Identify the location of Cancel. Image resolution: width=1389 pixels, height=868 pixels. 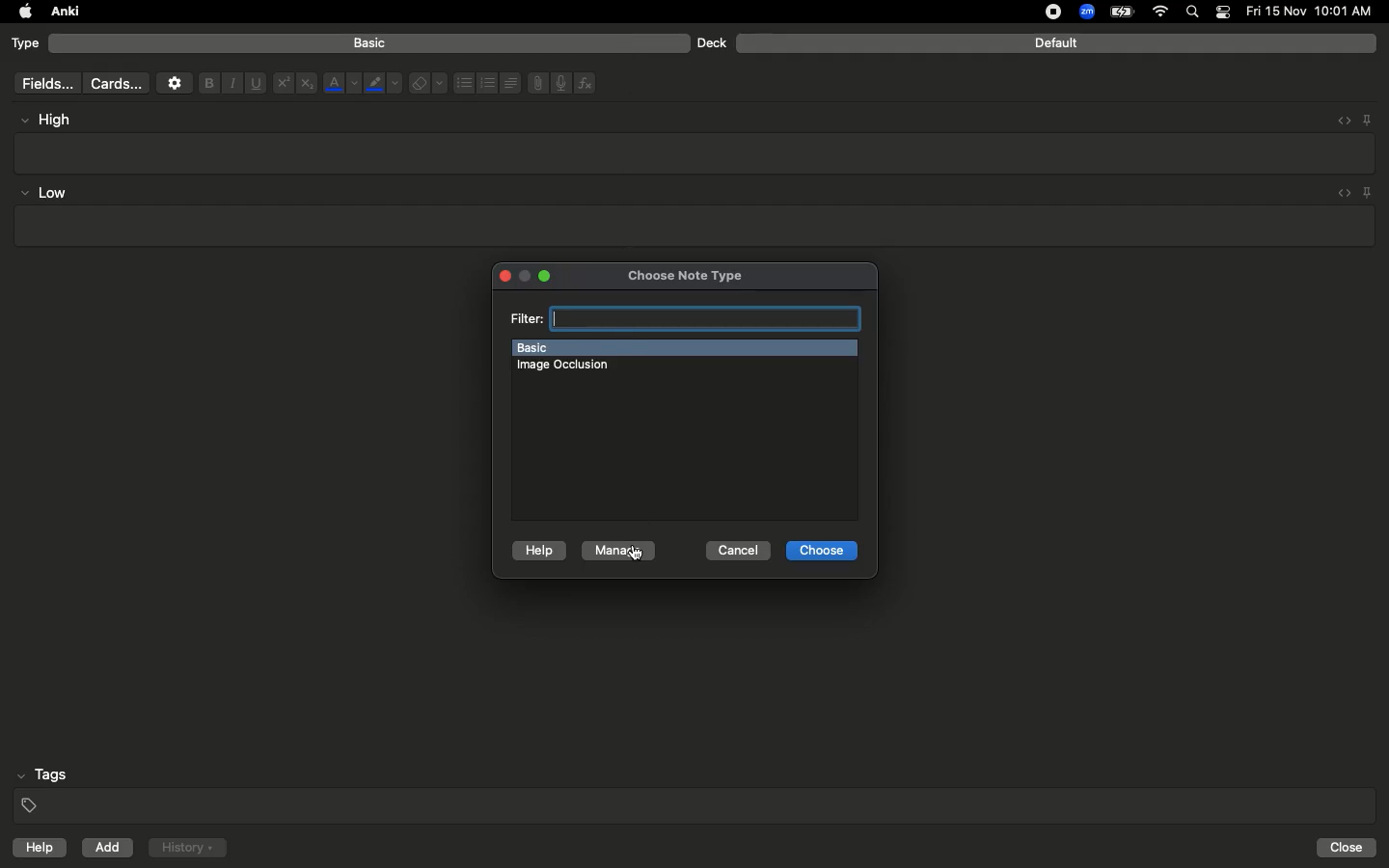
(737, 550).